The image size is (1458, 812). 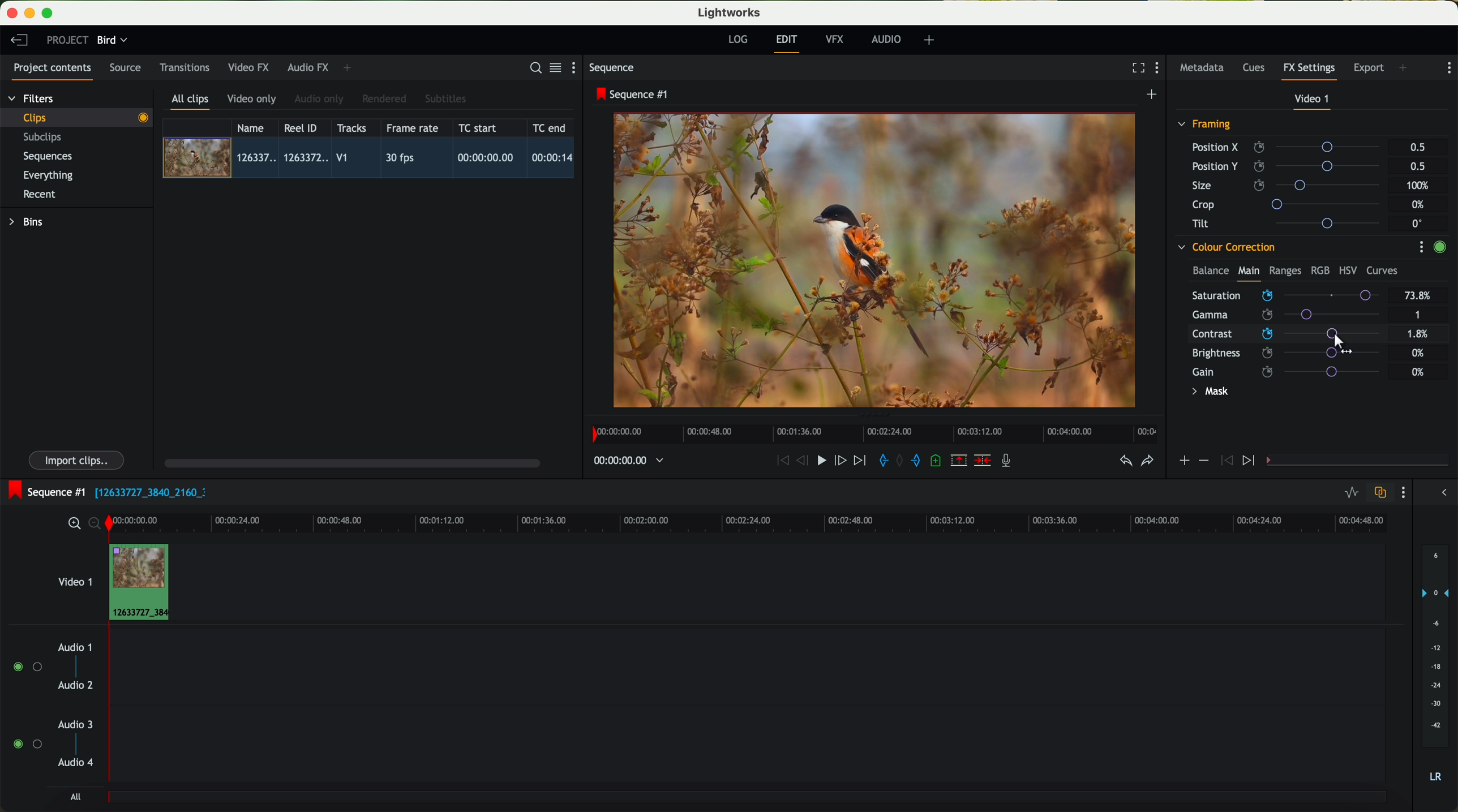 I want to click on close program, so click(x=12, y=13).